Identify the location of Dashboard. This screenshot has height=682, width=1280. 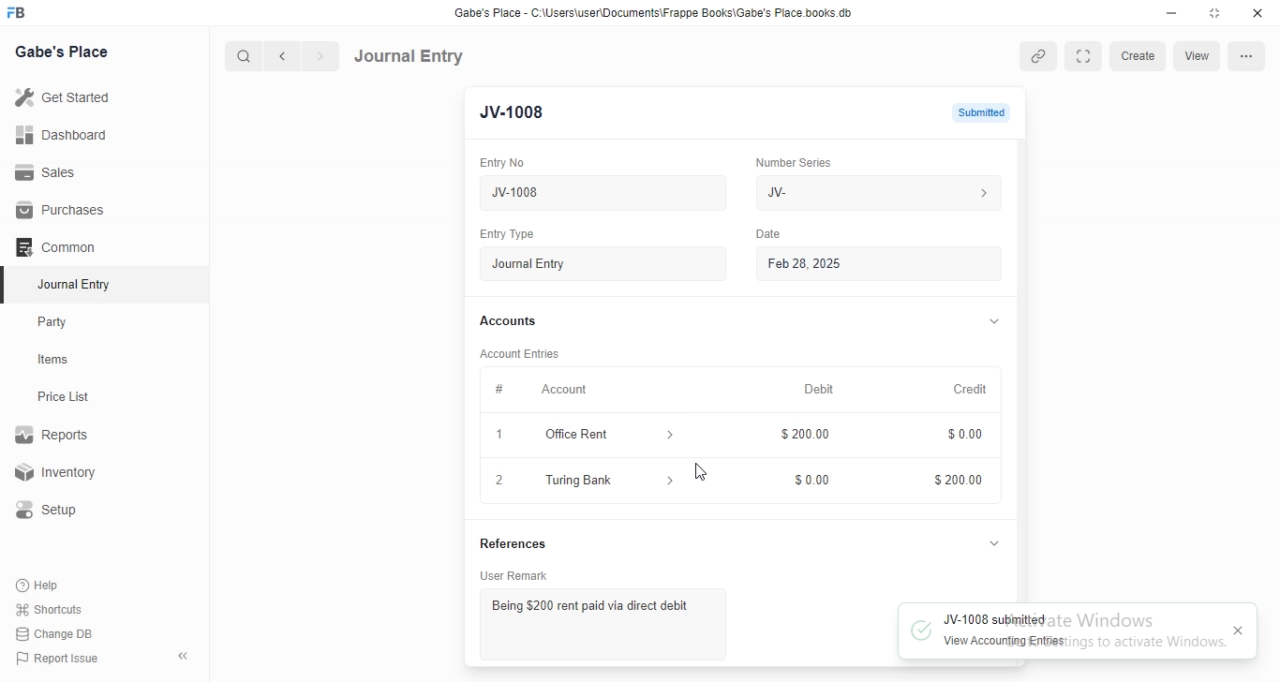
(59, 135).